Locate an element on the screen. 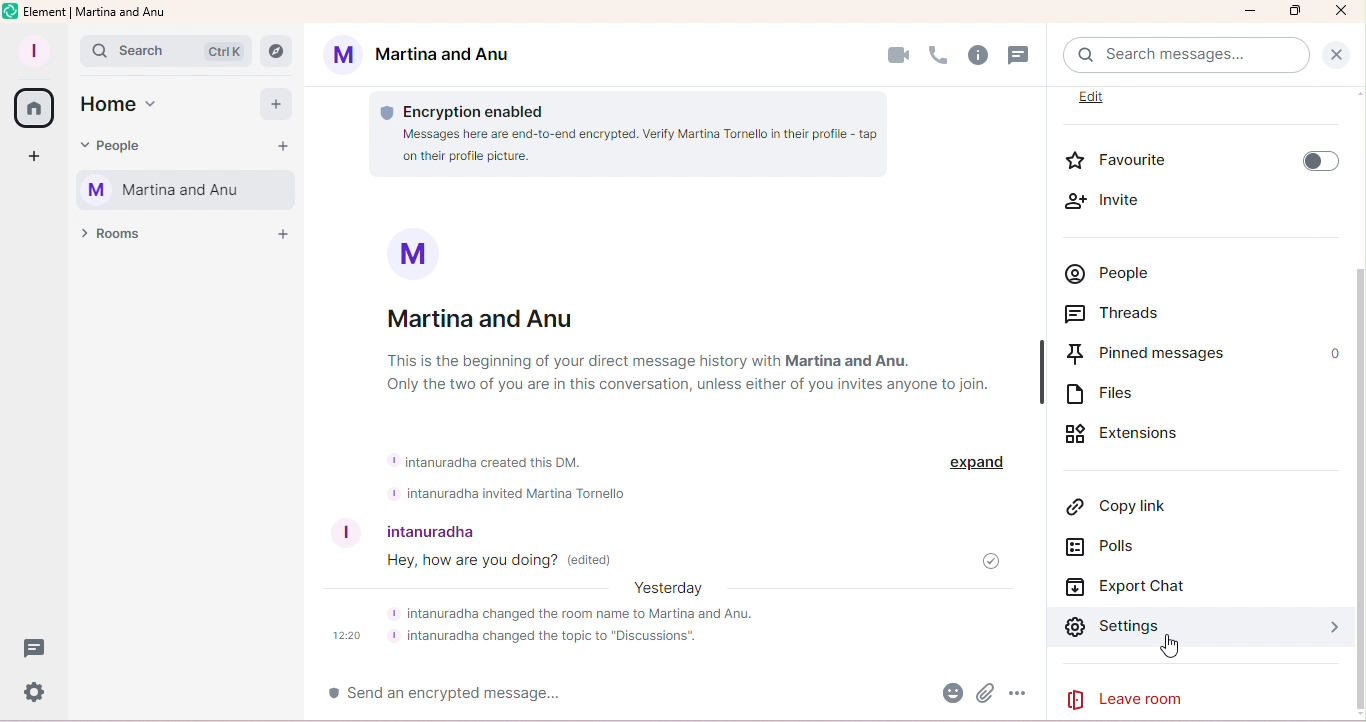 The image size is (1366, 722). Video Call is located at coordinates (896, 56).